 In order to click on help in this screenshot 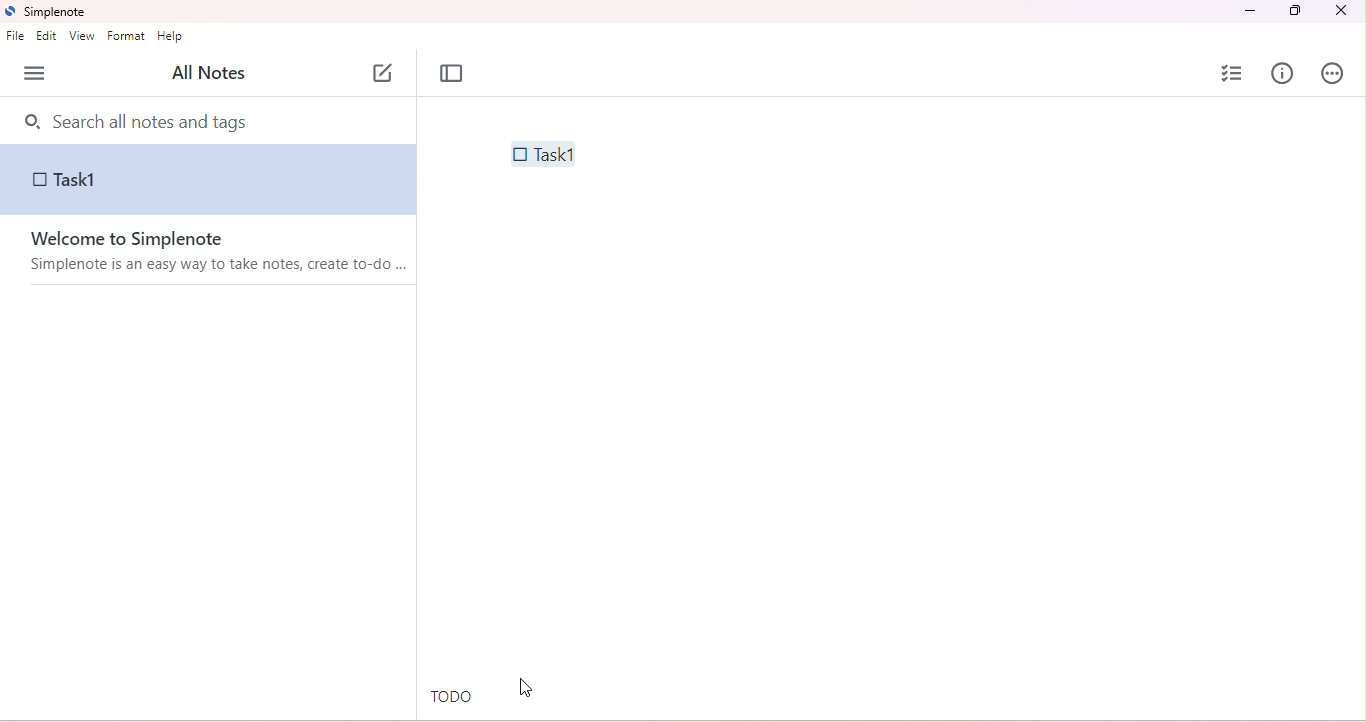, I will do `click(172, 38)`.